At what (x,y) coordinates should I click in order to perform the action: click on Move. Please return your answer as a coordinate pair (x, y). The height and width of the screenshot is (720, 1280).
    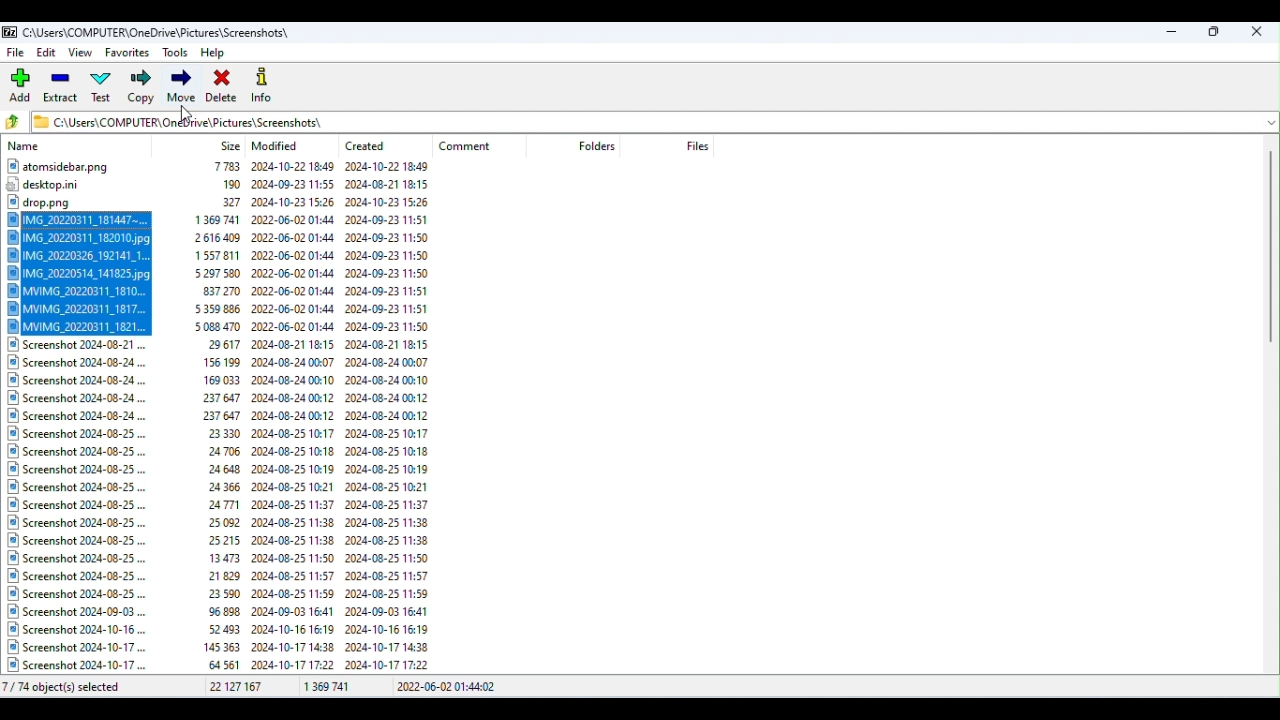
    Looking at the image, I should click on (181, 88).